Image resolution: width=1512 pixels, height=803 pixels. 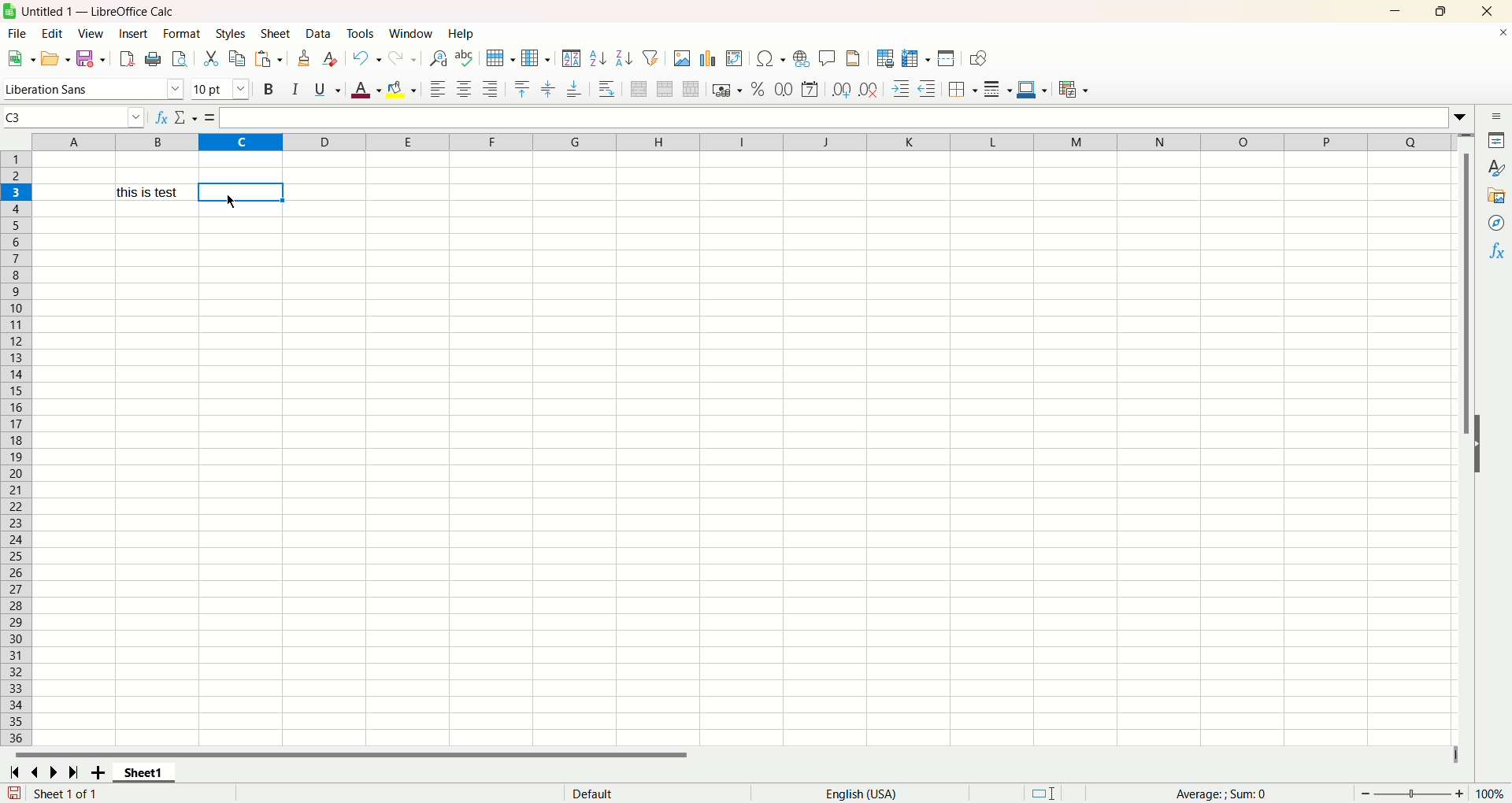 What do you see at coordinates (739, 142) in the screenshot?
I see `column name` at bounding box center [739, 142].